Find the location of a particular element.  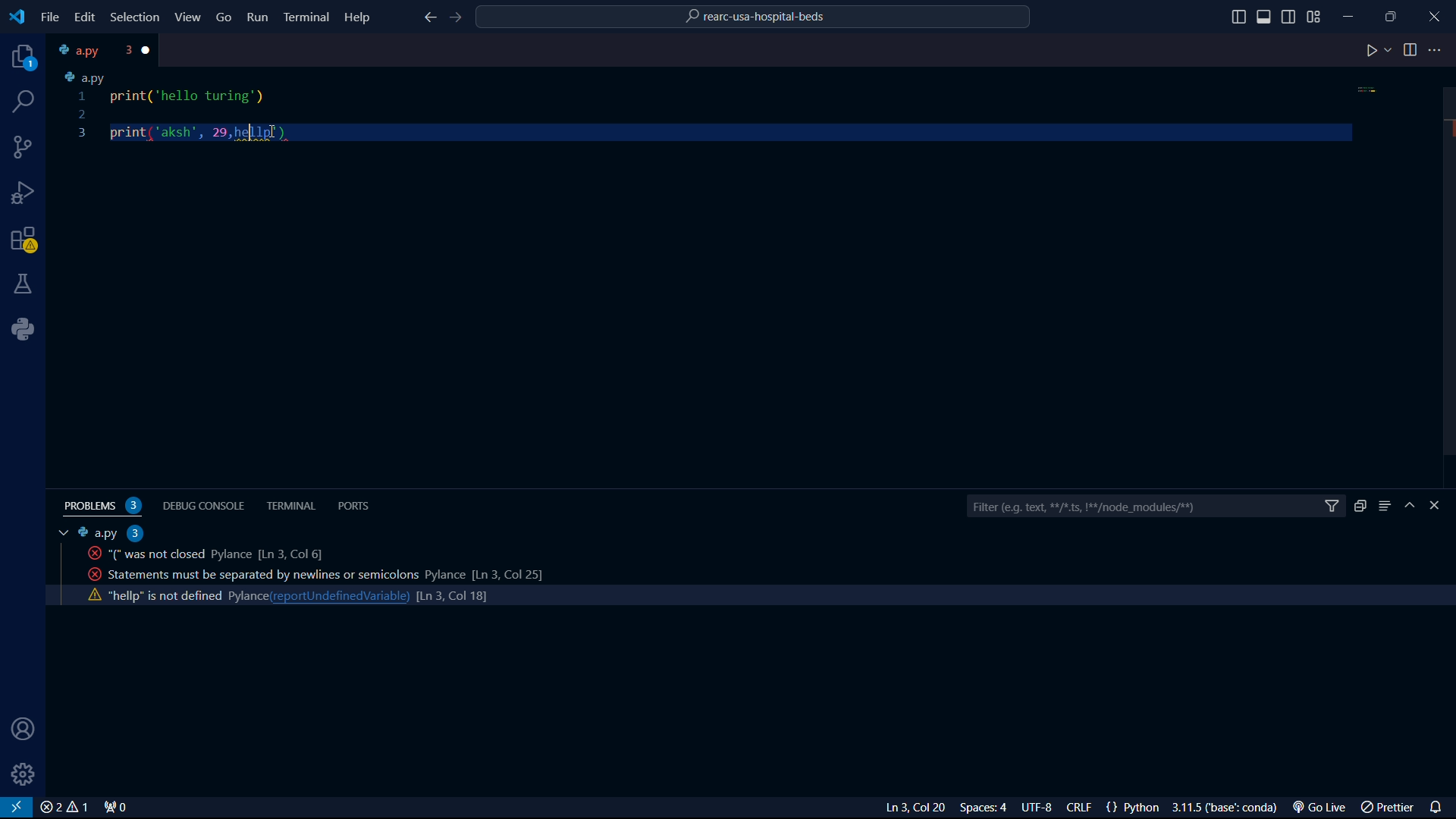

Selection is located at coordinates (137, 18).